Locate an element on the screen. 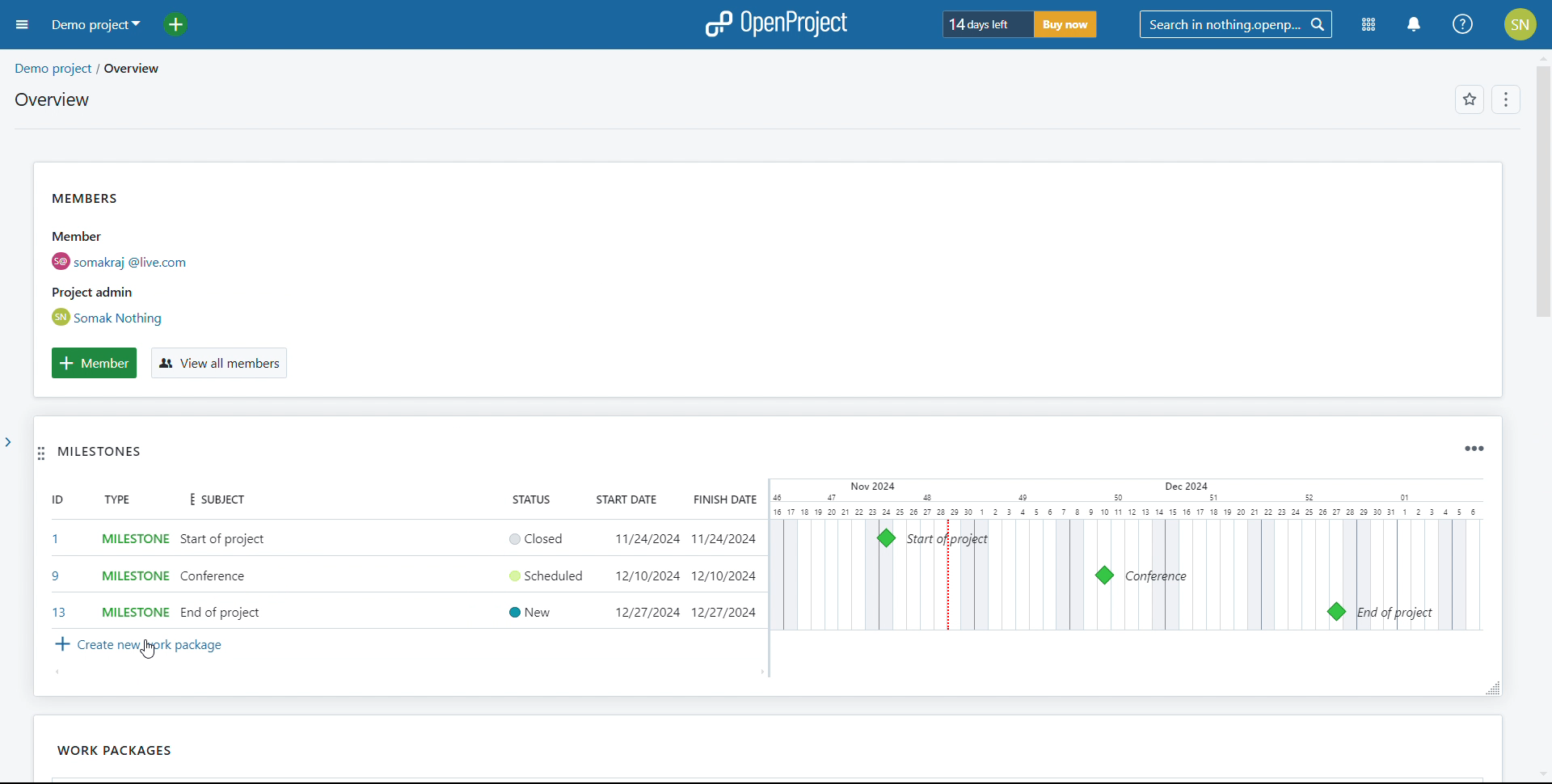 This screenshot has width=1552, height=784. buy now is located at coordinates (1064, 24).